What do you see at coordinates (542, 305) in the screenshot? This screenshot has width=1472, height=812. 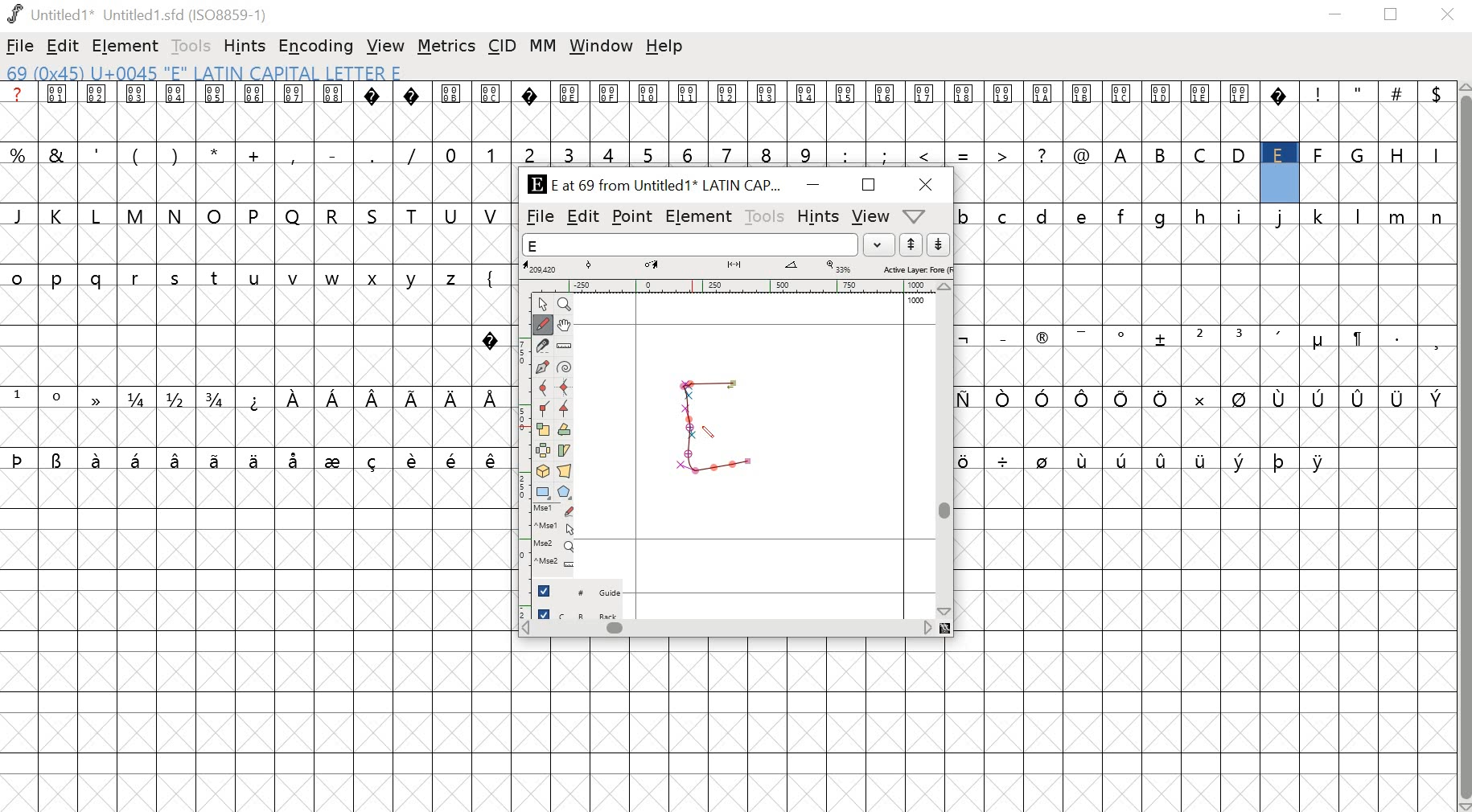 I see `Point` at bounding box center [542, 305].